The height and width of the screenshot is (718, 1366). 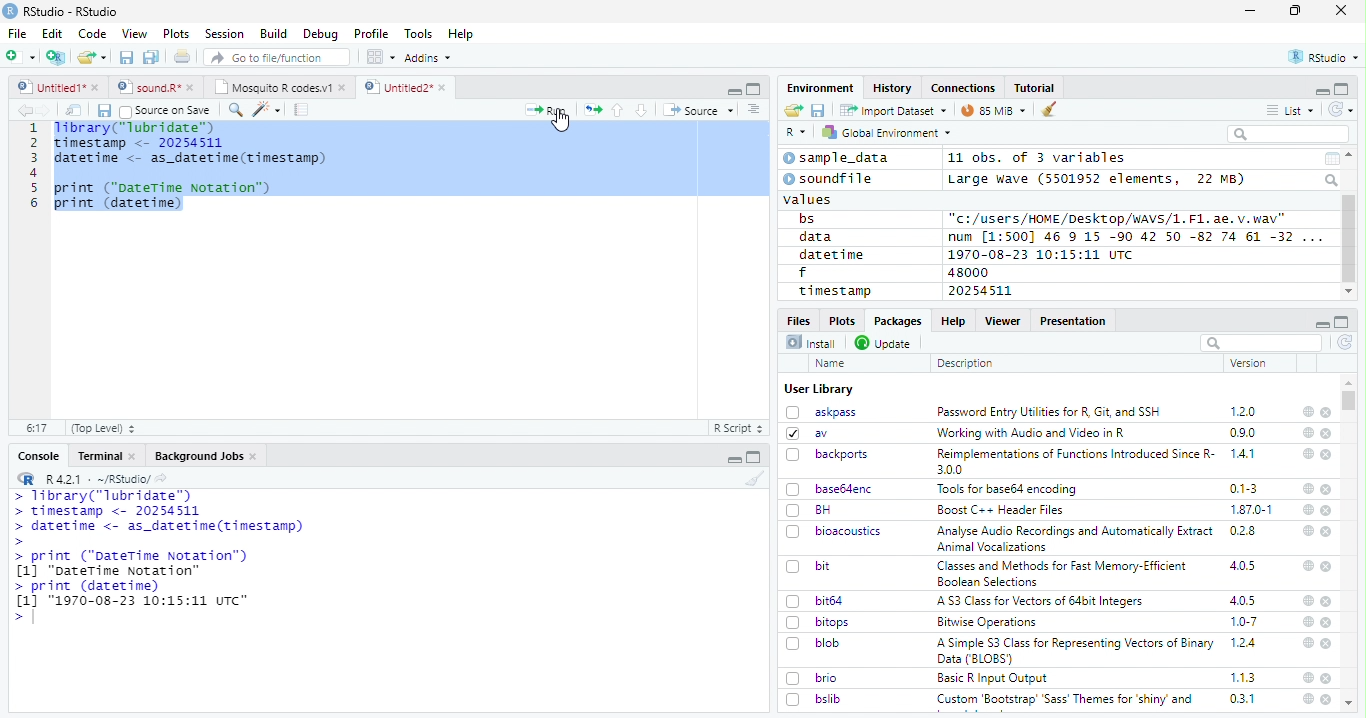 I want to click on Packages, so click(x=896, y=321).